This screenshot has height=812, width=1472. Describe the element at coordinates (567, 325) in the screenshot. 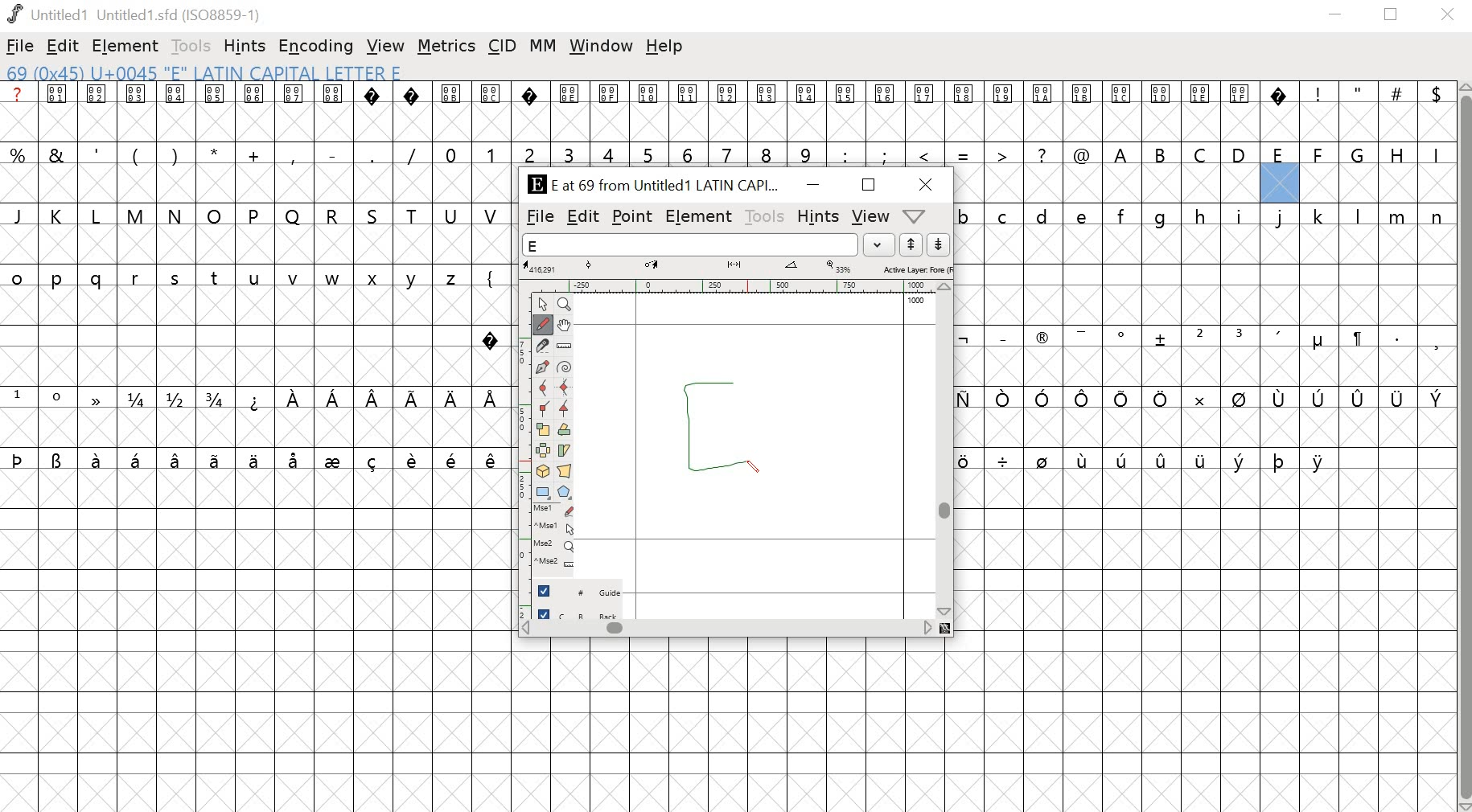

I see `Pan` at that location.